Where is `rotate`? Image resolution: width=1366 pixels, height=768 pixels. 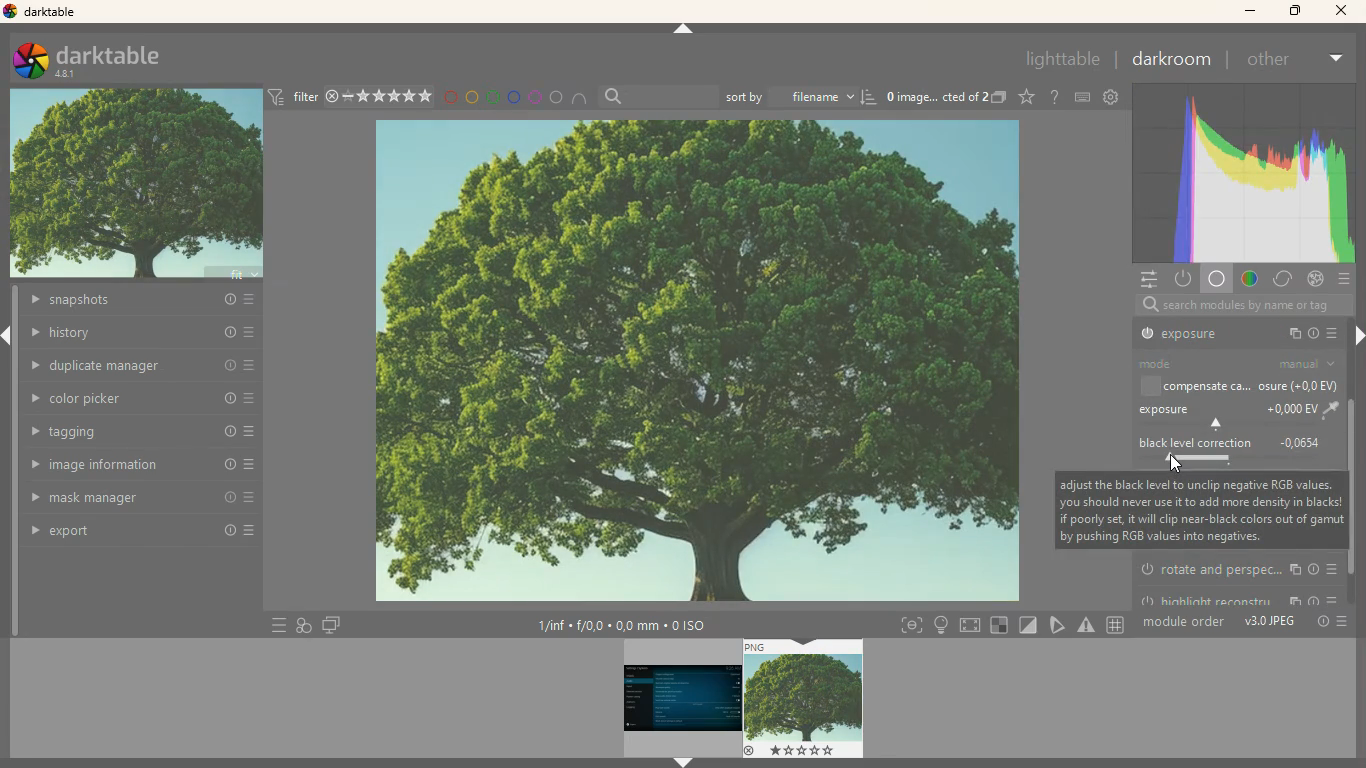 rotate is located at coordinates (1240, 570).